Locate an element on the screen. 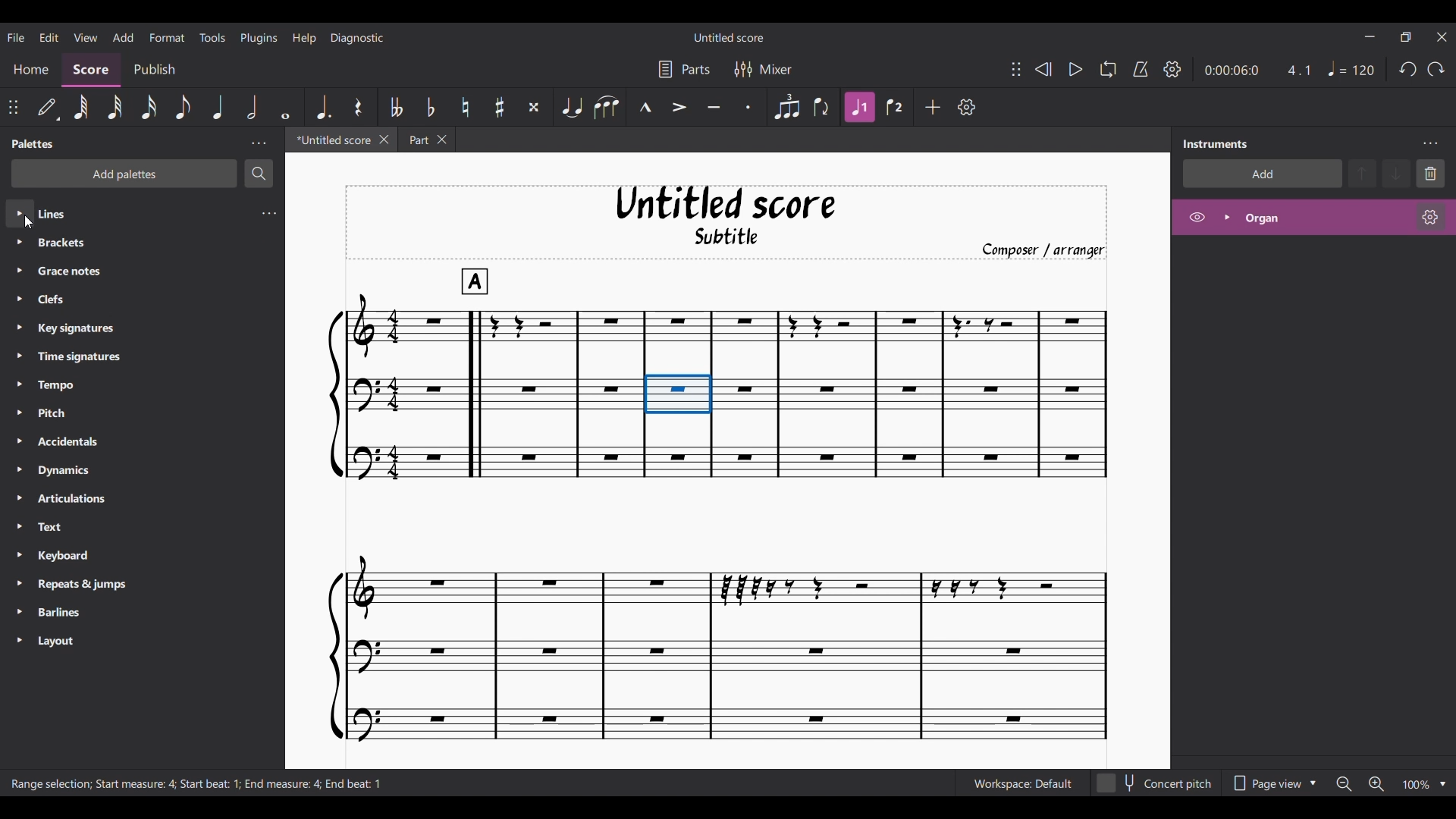 This screenshot has width=1456, height=819. Publish section is located at coordinates (153, 70).